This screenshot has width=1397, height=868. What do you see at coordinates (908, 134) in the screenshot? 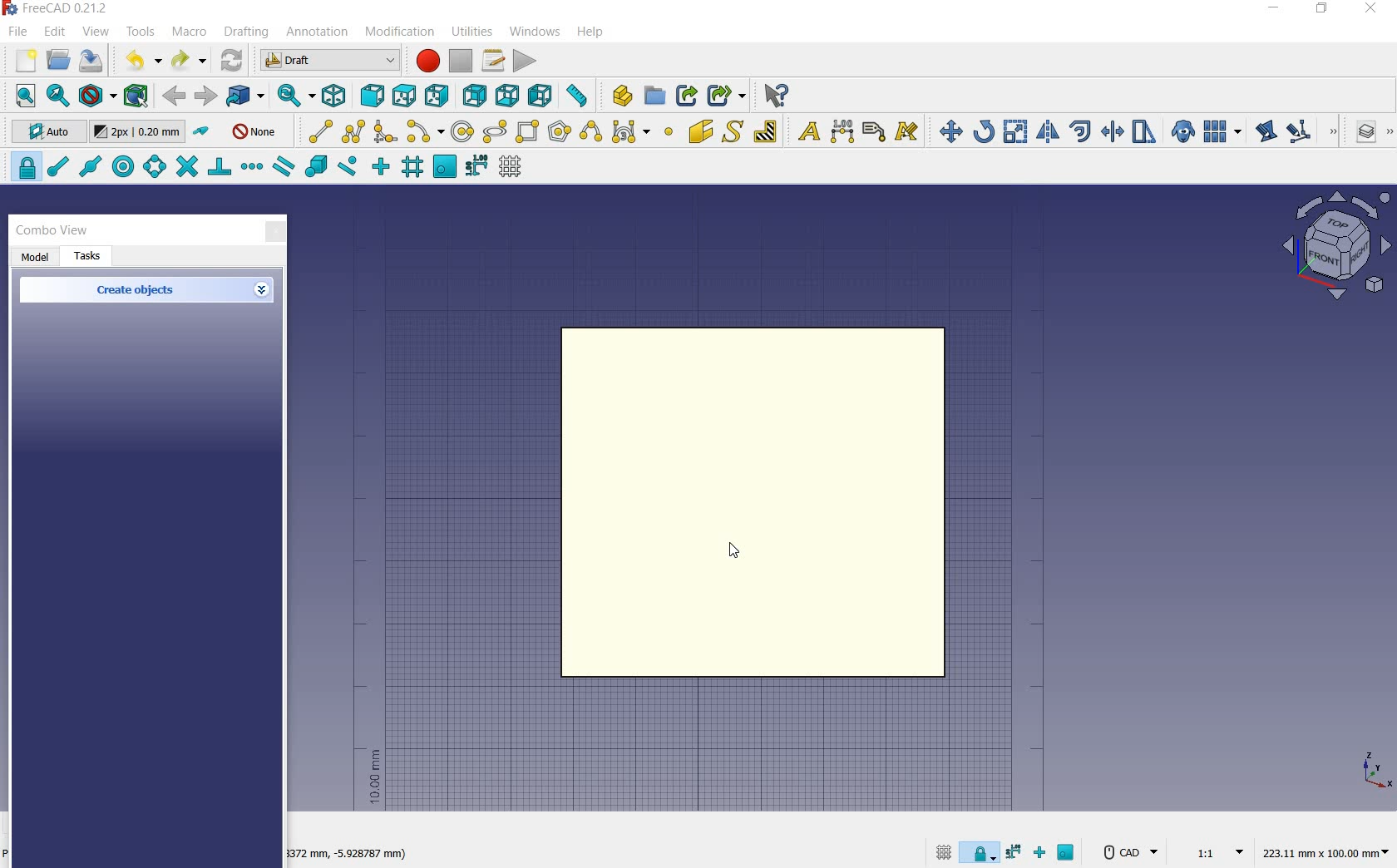
I see `annotation styles` at bounding box center [908, 134].